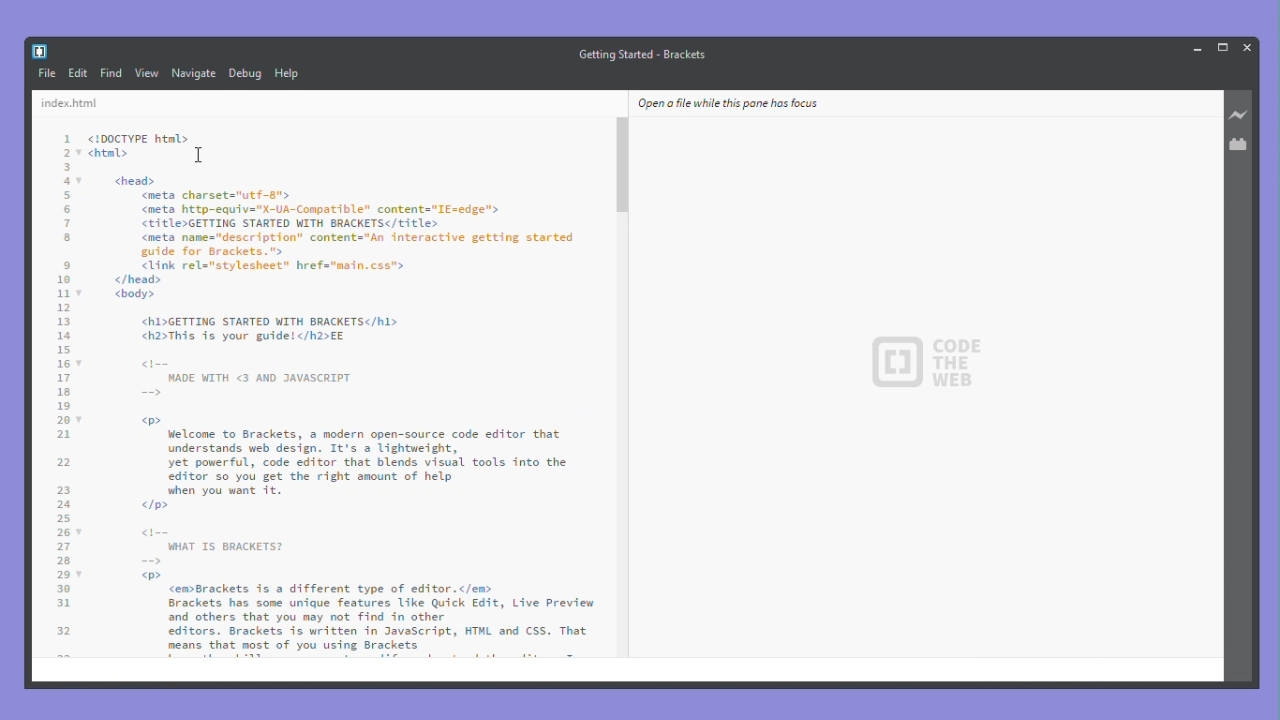 The image size is (1280, 720). I want to click on code fold, so click(81, 154).